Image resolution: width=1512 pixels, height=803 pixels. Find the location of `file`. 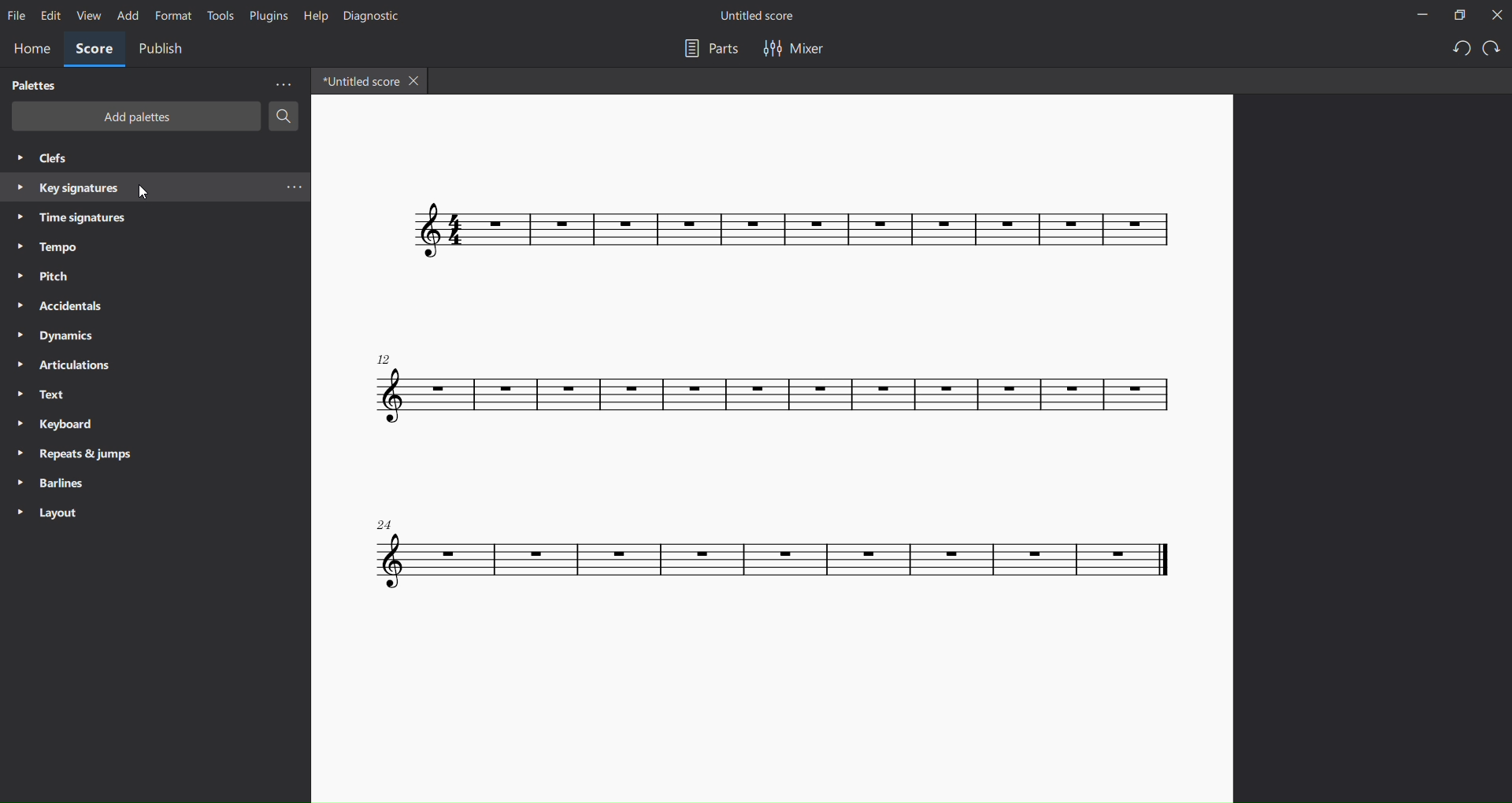

file is located at coordinates (18, 15).